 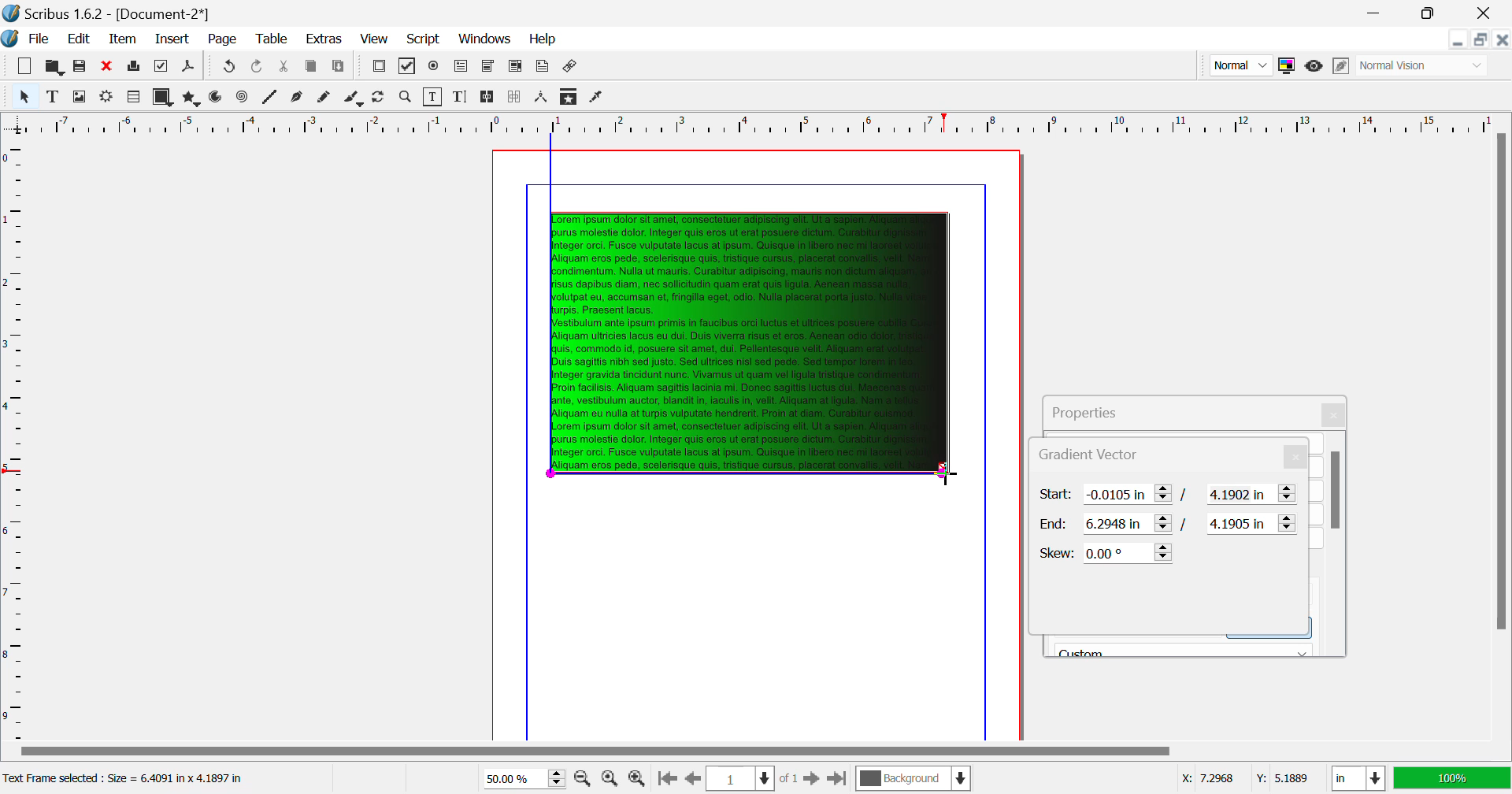 What do you see at coordinates (80, 66) in the screenshot?
I see `Save` at bounding box center [80, 66].